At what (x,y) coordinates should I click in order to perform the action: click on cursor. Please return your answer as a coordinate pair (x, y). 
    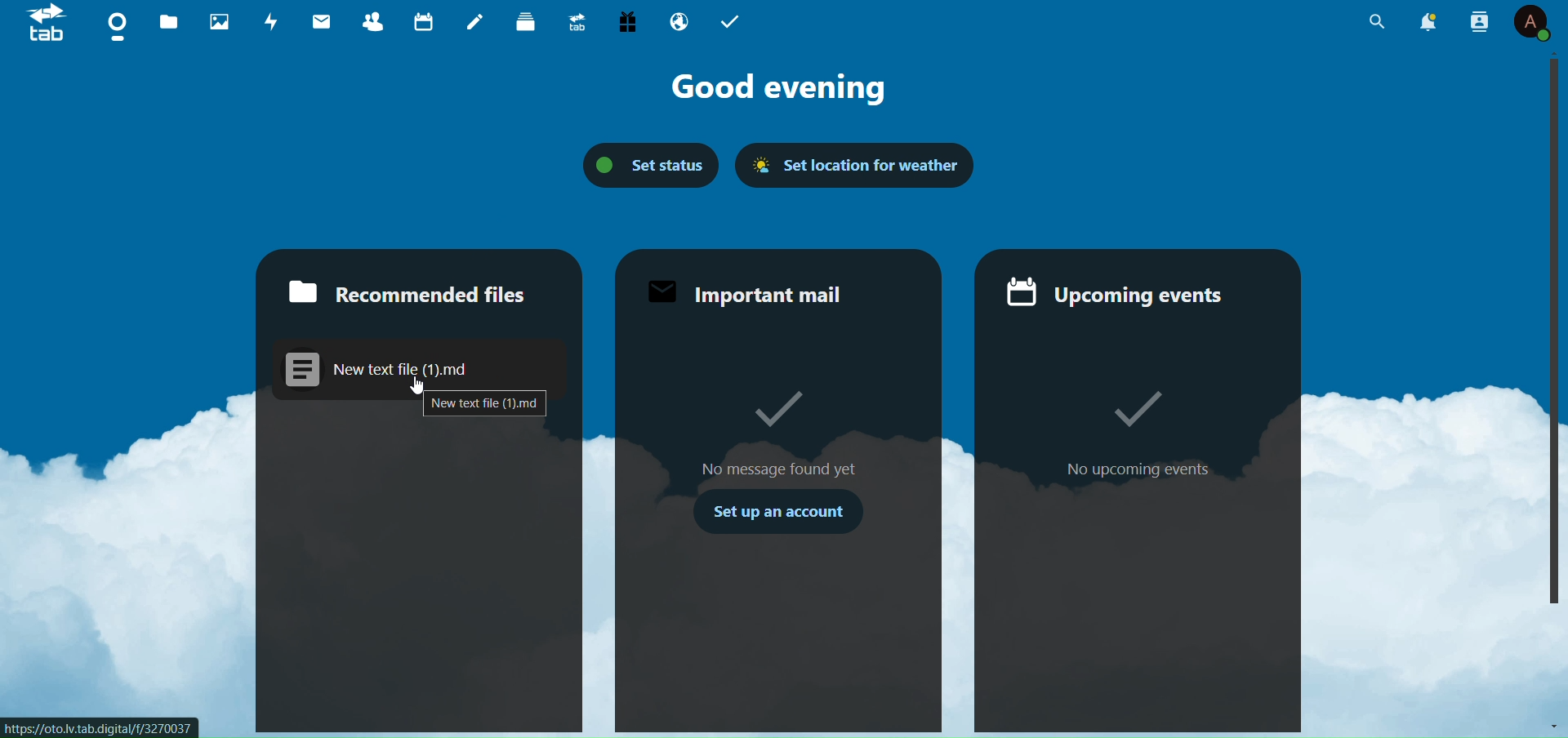
    Looking at the image, I should click on (419, 386).